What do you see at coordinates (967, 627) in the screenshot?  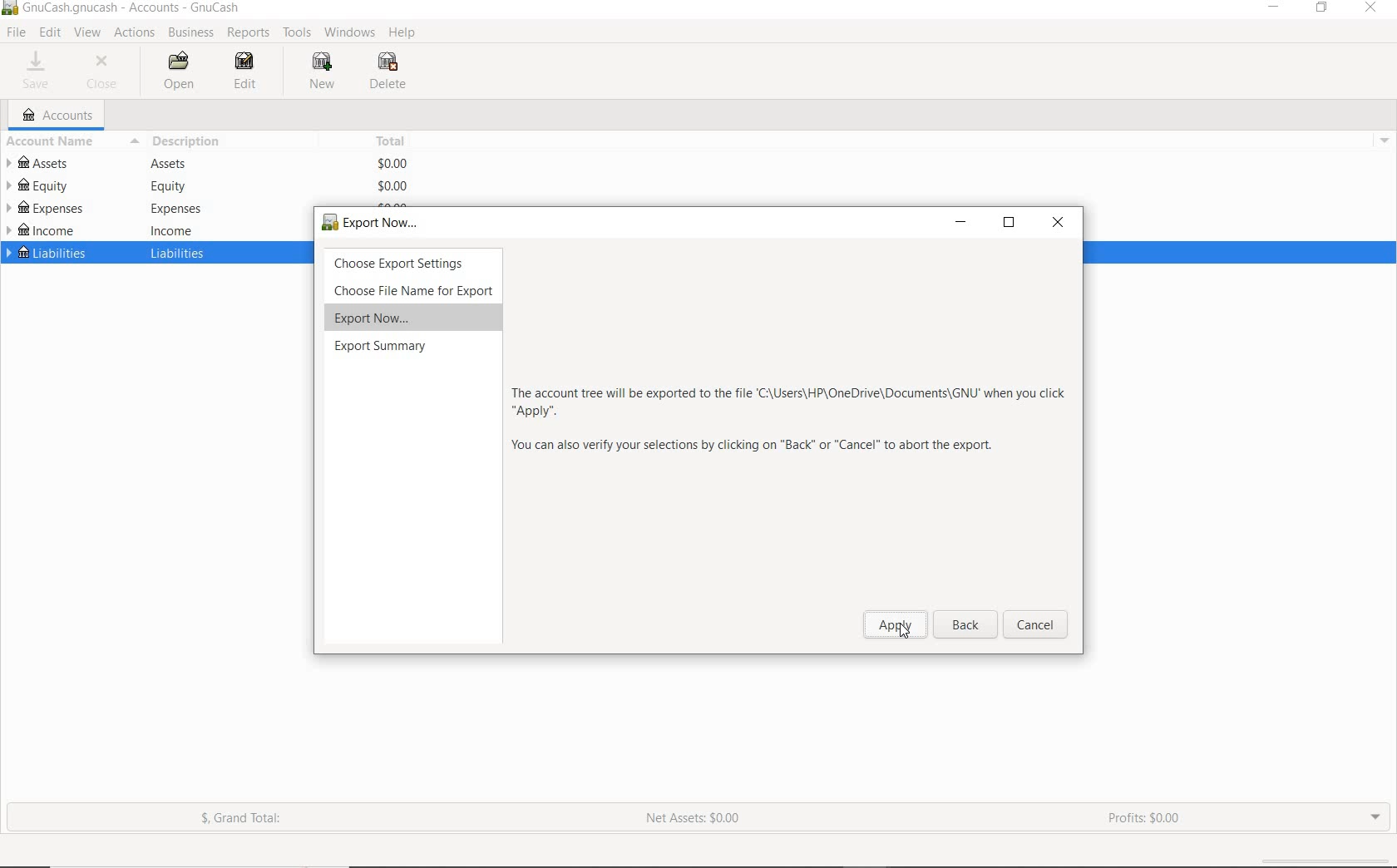 I see `back` at bounding box center [967, 627].